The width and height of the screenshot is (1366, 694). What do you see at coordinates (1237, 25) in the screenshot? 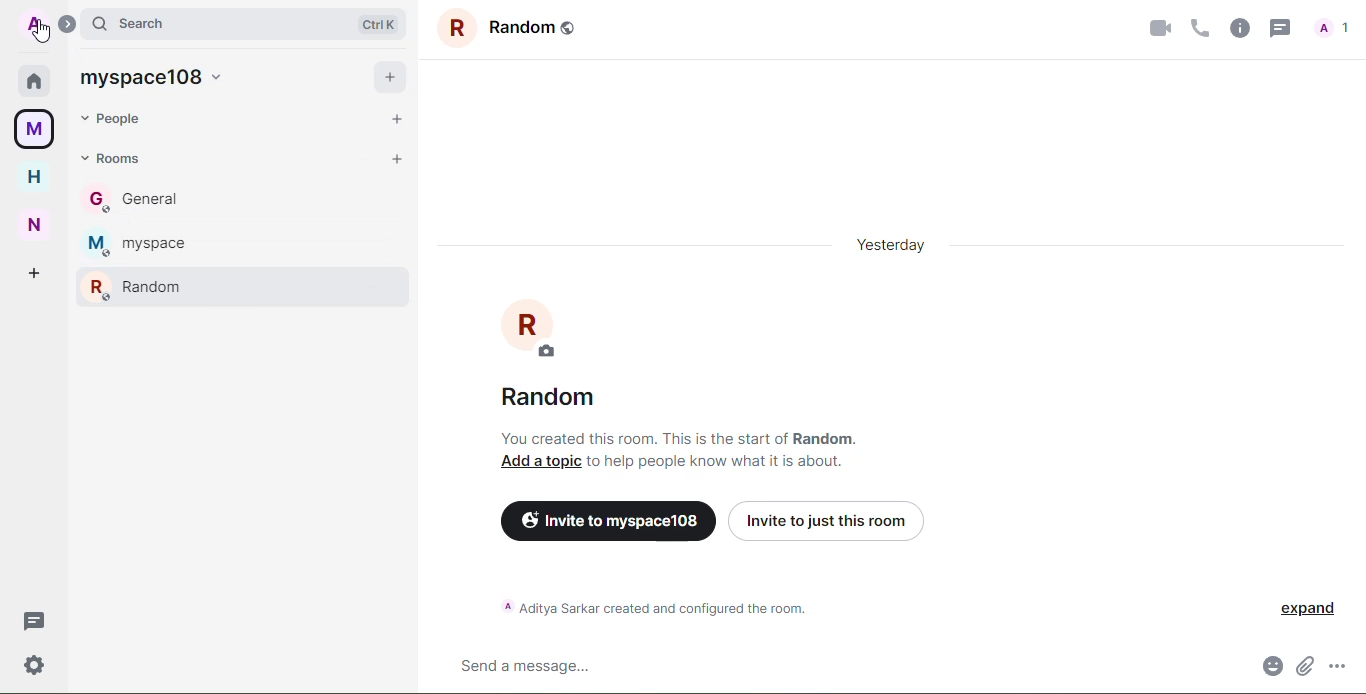
I see `info` at bounding box center [1237, 25].